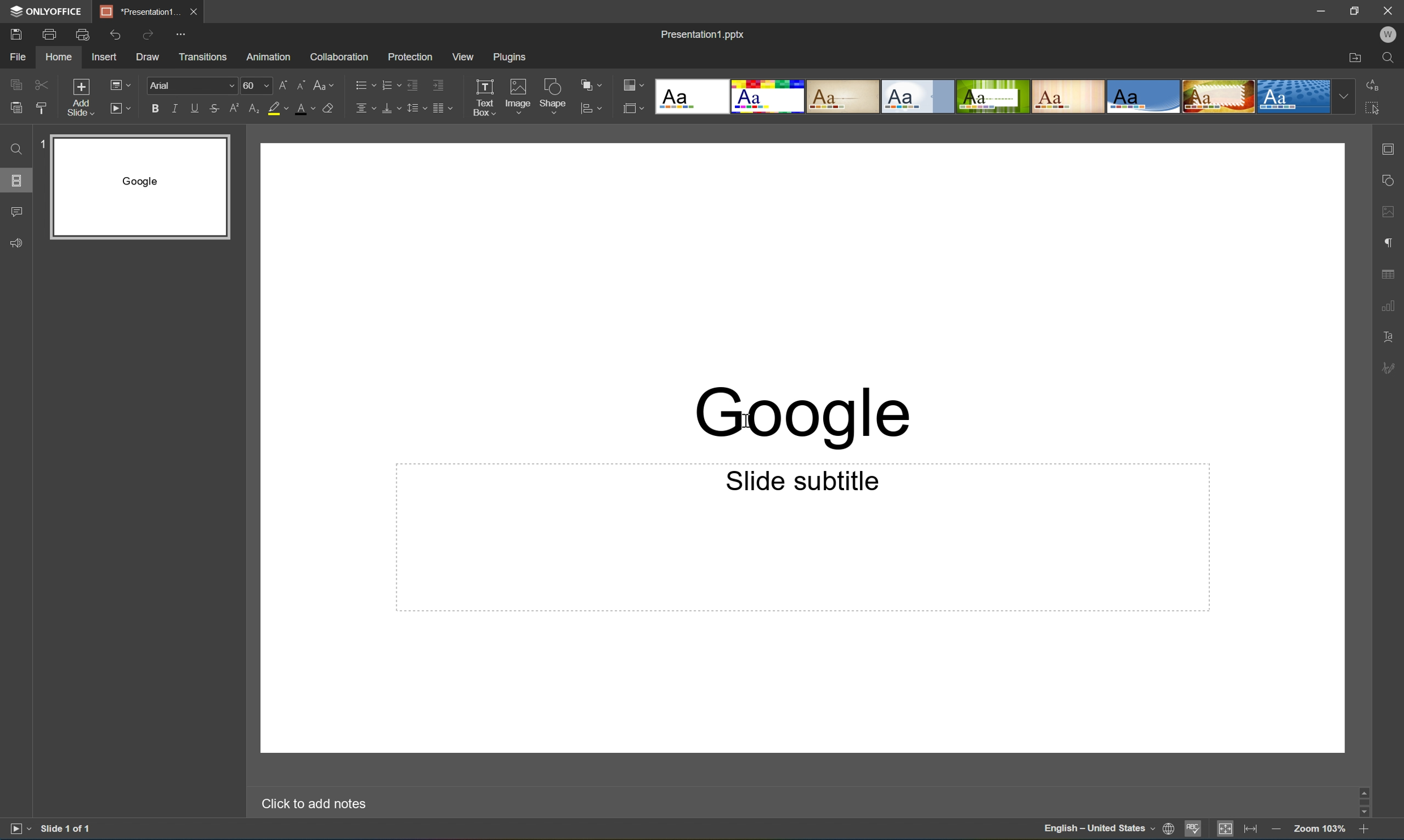 The width and height of the screenshot is (1404, 840). What do you see at coordinates (272, 57) in the screenshot?
I see `Animation` at bounding box center [272, 57].